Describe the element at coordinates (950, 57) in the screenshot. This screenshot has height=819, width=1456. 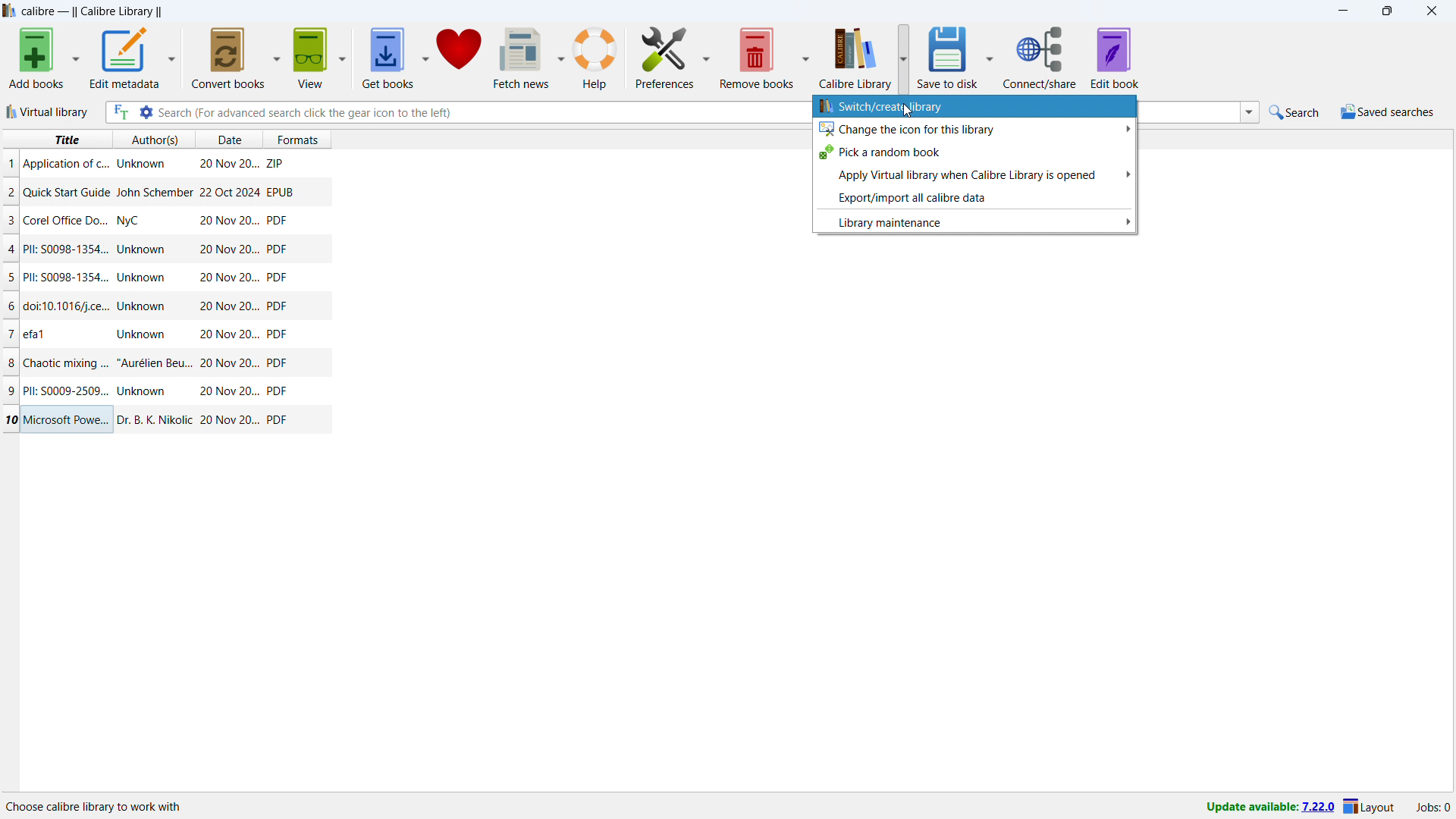
I see `save to disk` at that location.